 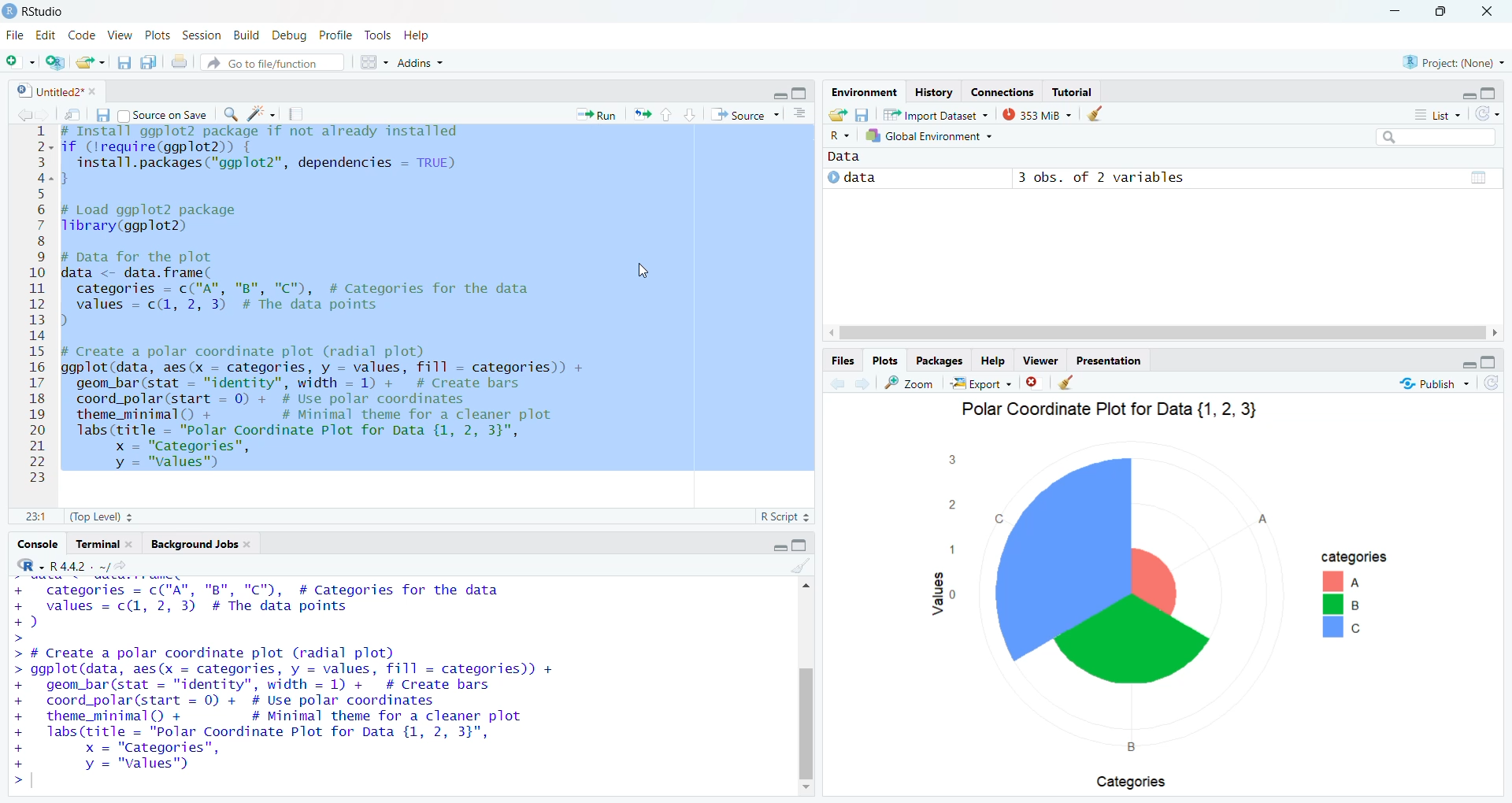 What do you see at coordinates (993, 361) in the screenshot?
I see `Help` at bounding box center [993, 361].